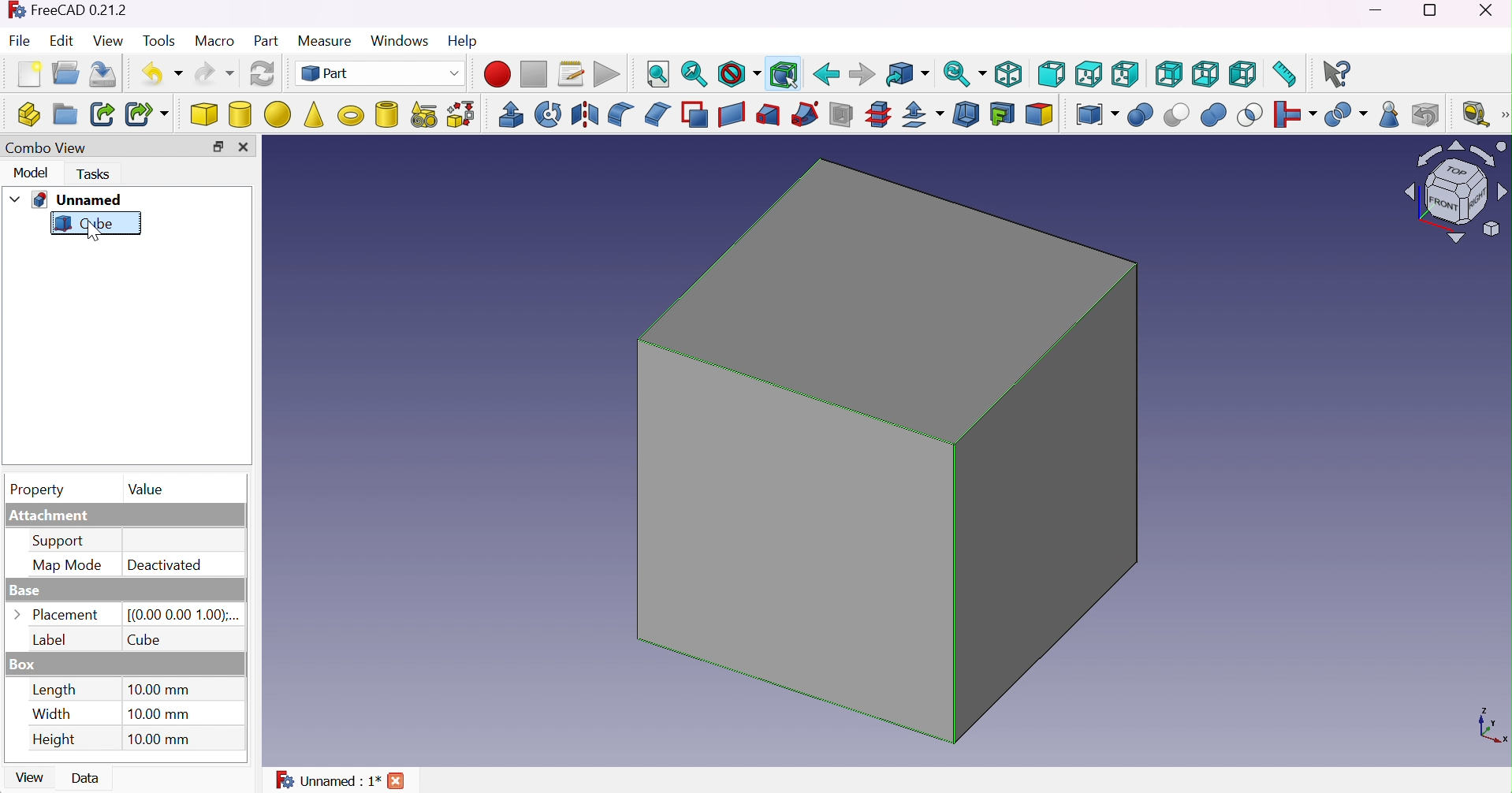 The image size is (1512, 793). I want to click on Value, so click(145, 489).